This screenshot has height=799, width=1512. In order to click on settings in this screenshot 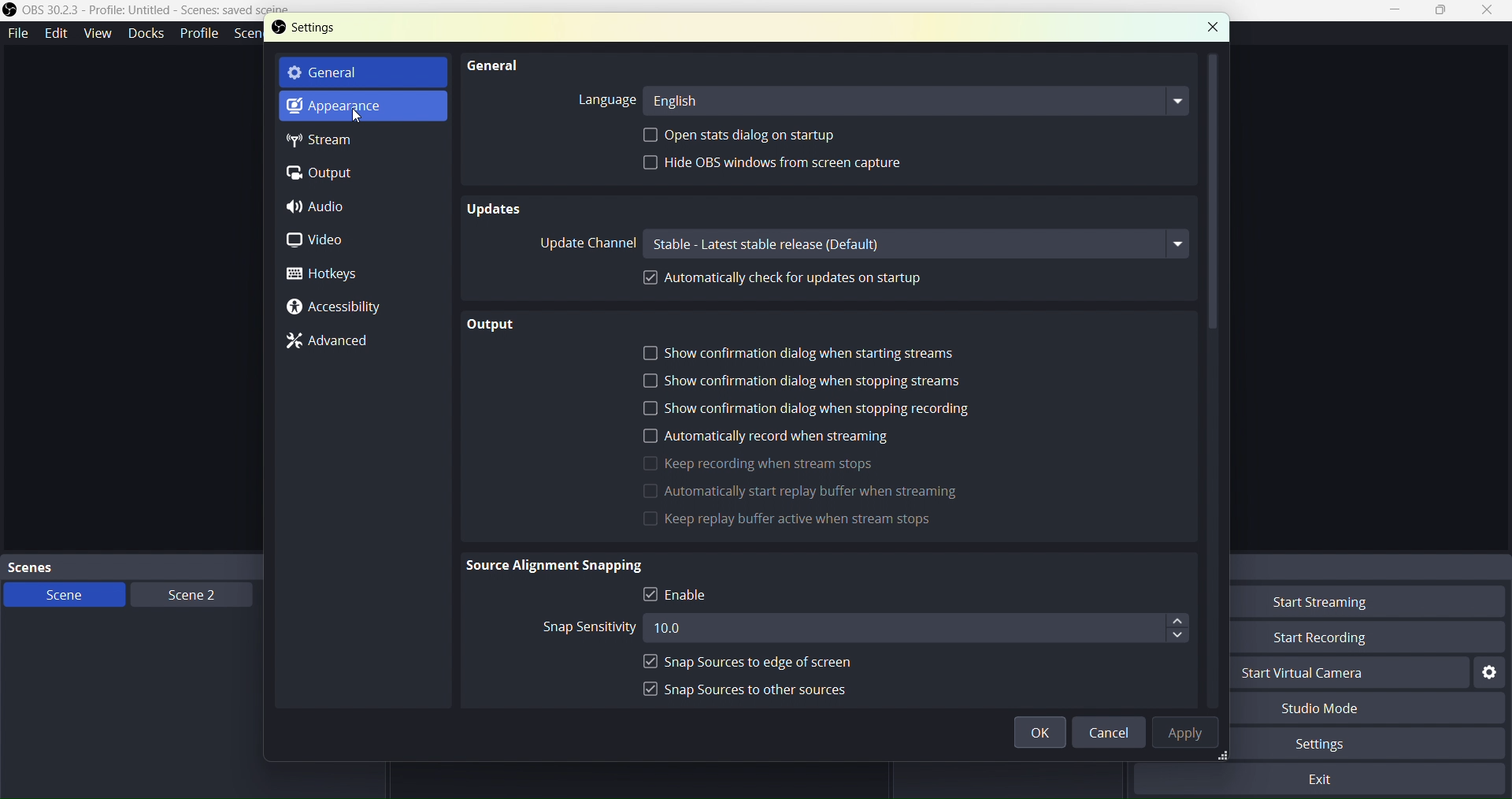, I will do `click(333, 30)`.